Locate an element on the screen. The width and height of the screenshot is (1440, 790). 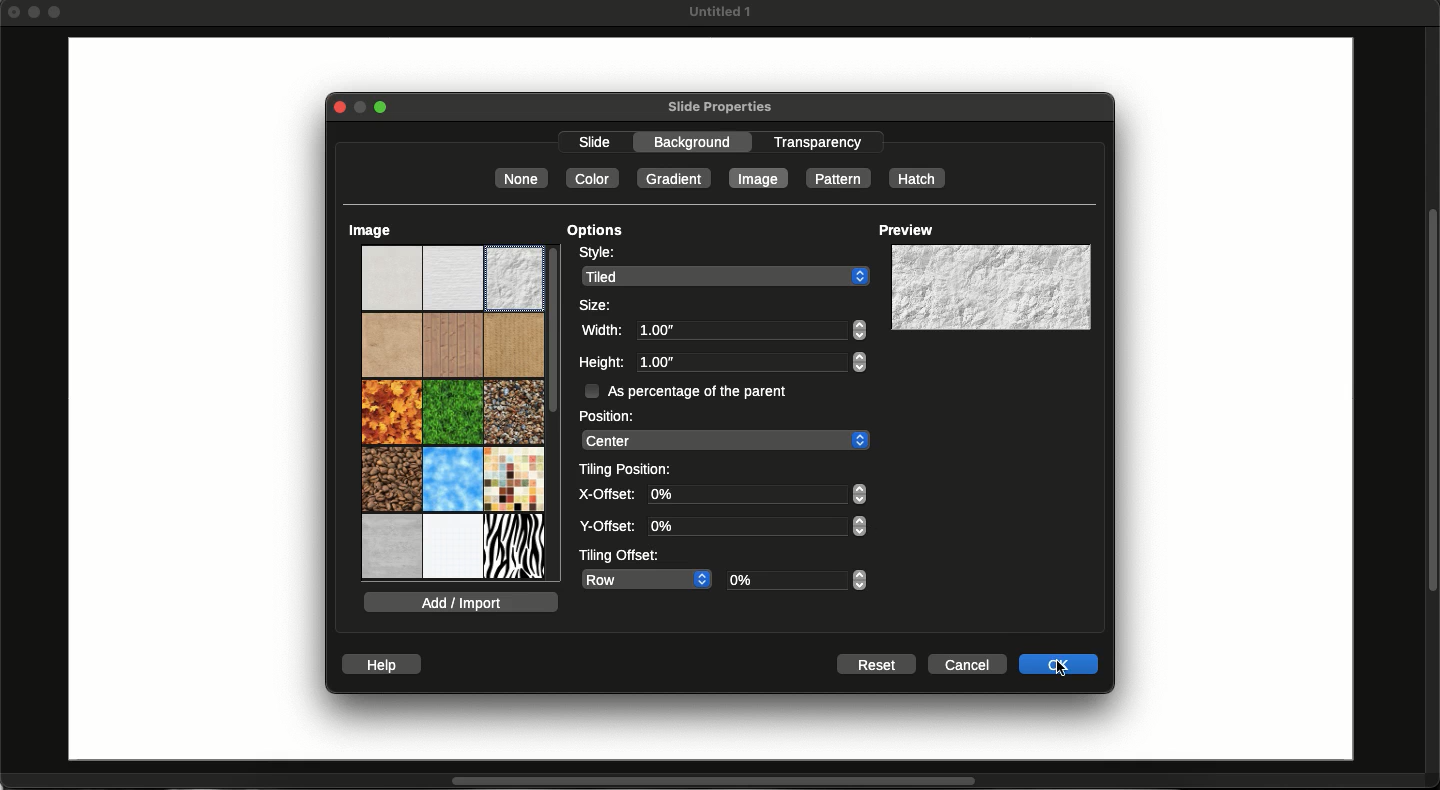
Preview is located at coordinates (906, 230).